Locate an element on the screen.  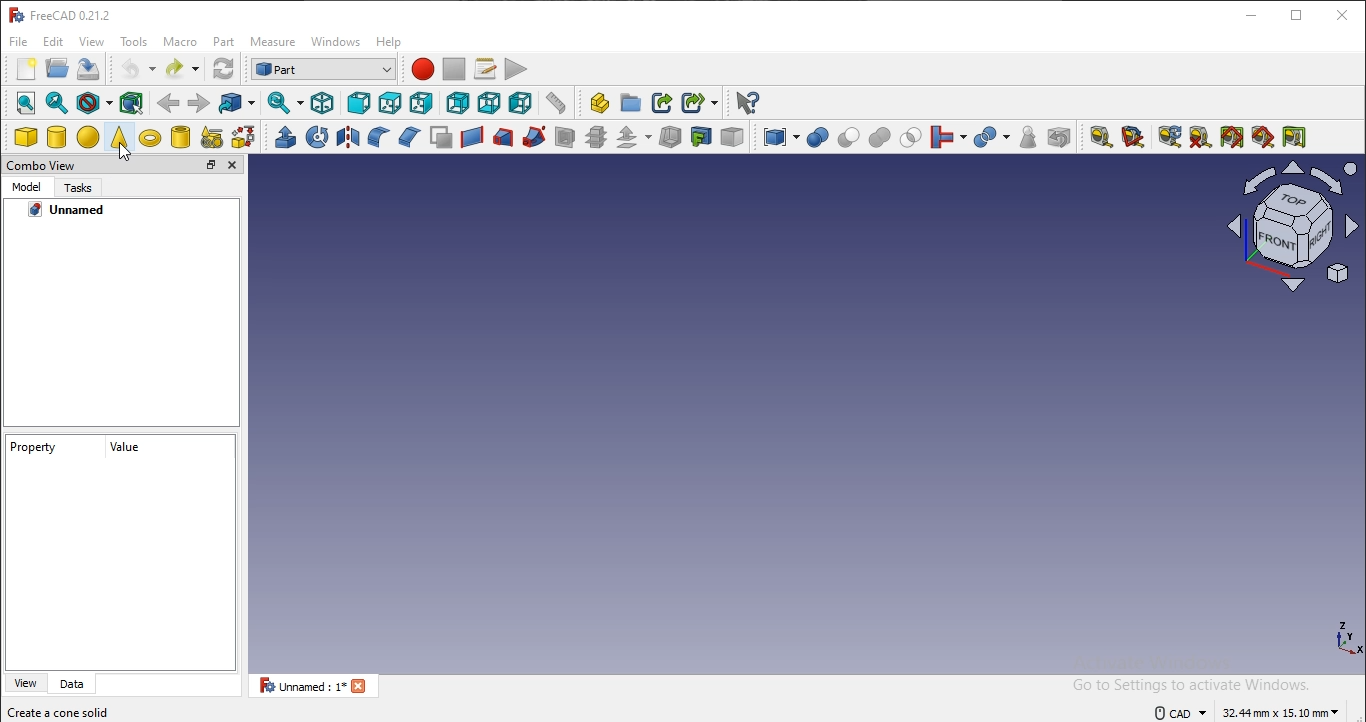
cone is located at coordinates (118, 137).